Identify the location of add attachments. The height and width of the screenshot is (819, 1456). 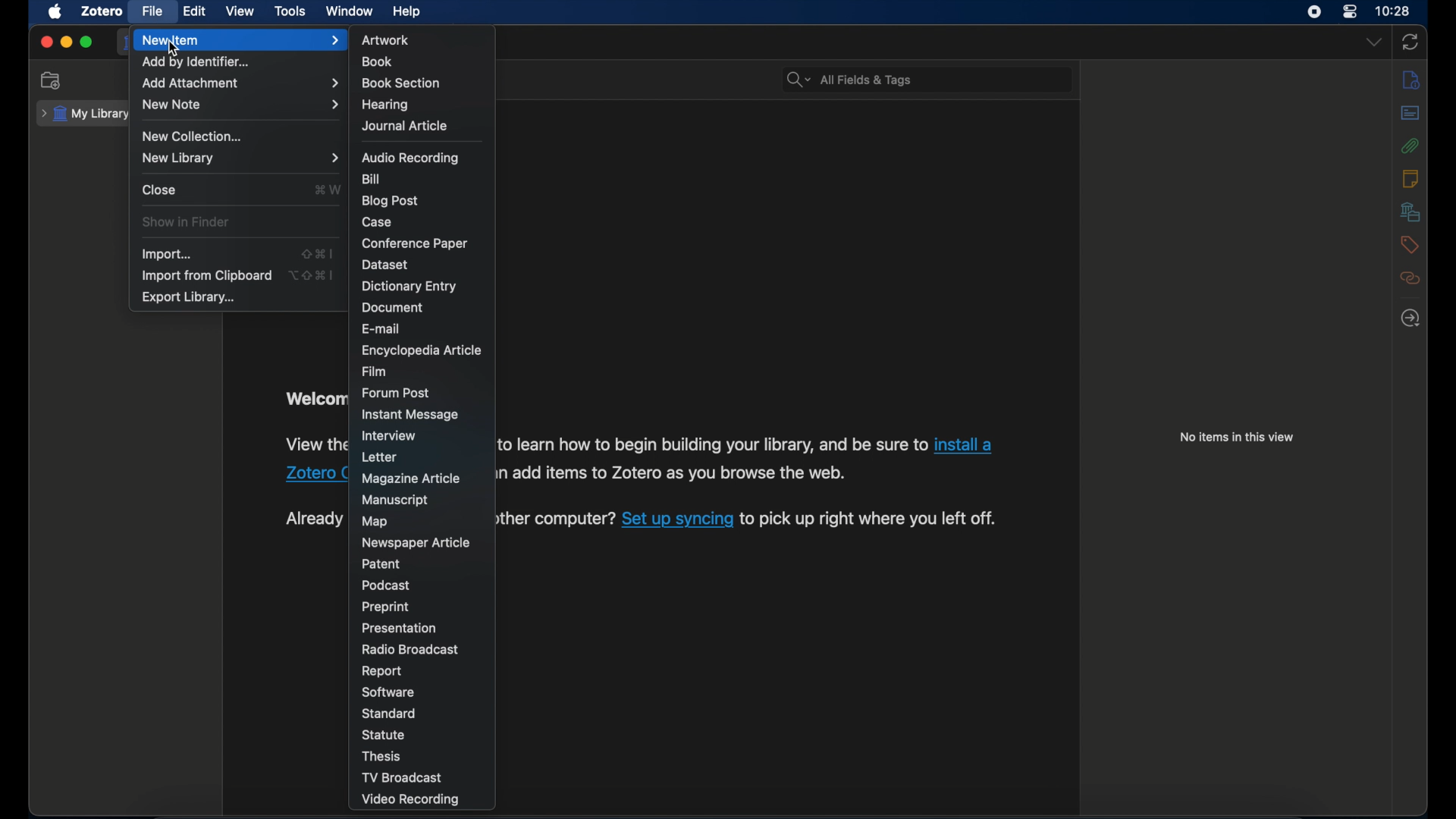
(240, 83).